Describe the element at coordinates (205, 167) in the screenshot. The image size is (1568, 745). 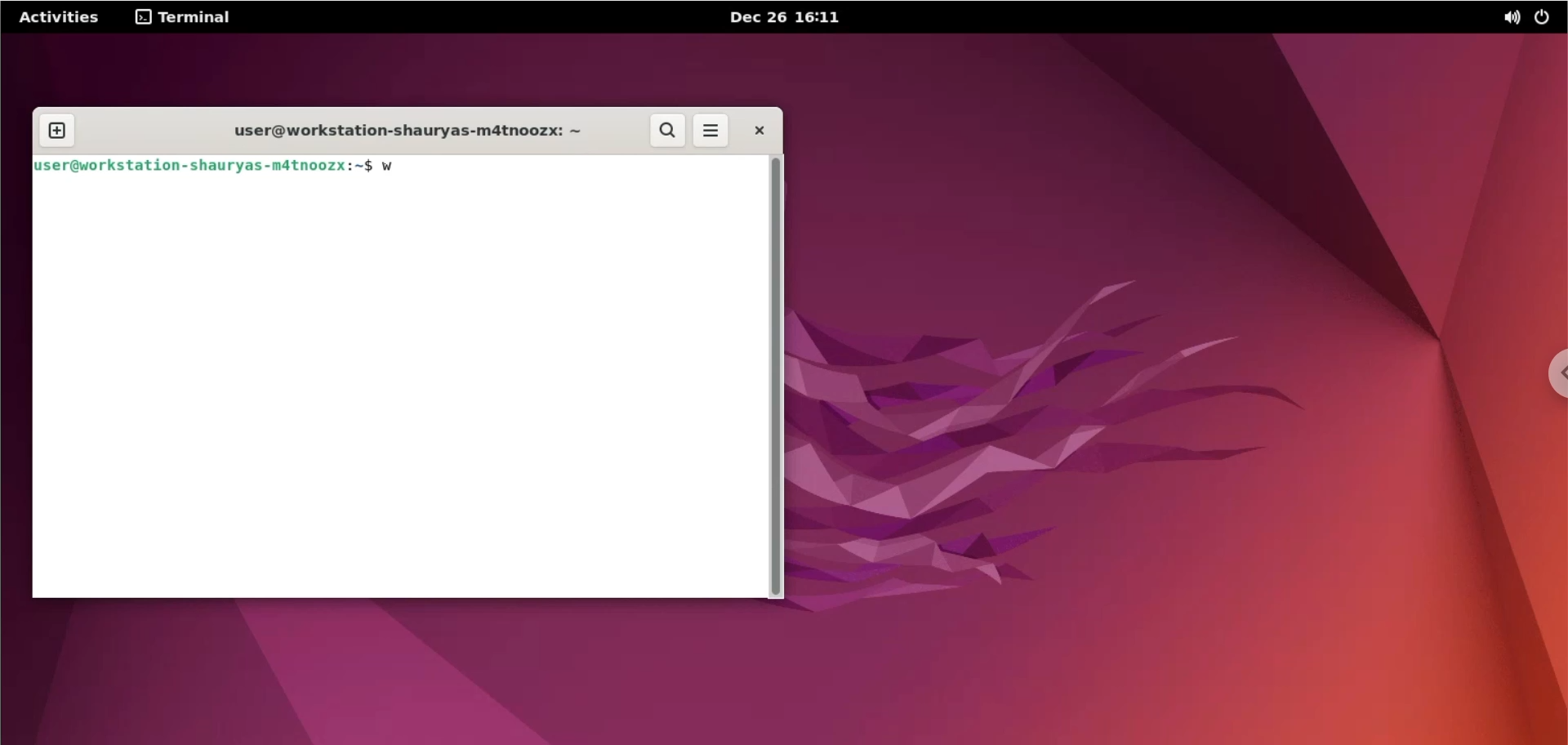
I see `shell prompt: user@workstation-shauryas-m4tnoozx:~$` at that location.